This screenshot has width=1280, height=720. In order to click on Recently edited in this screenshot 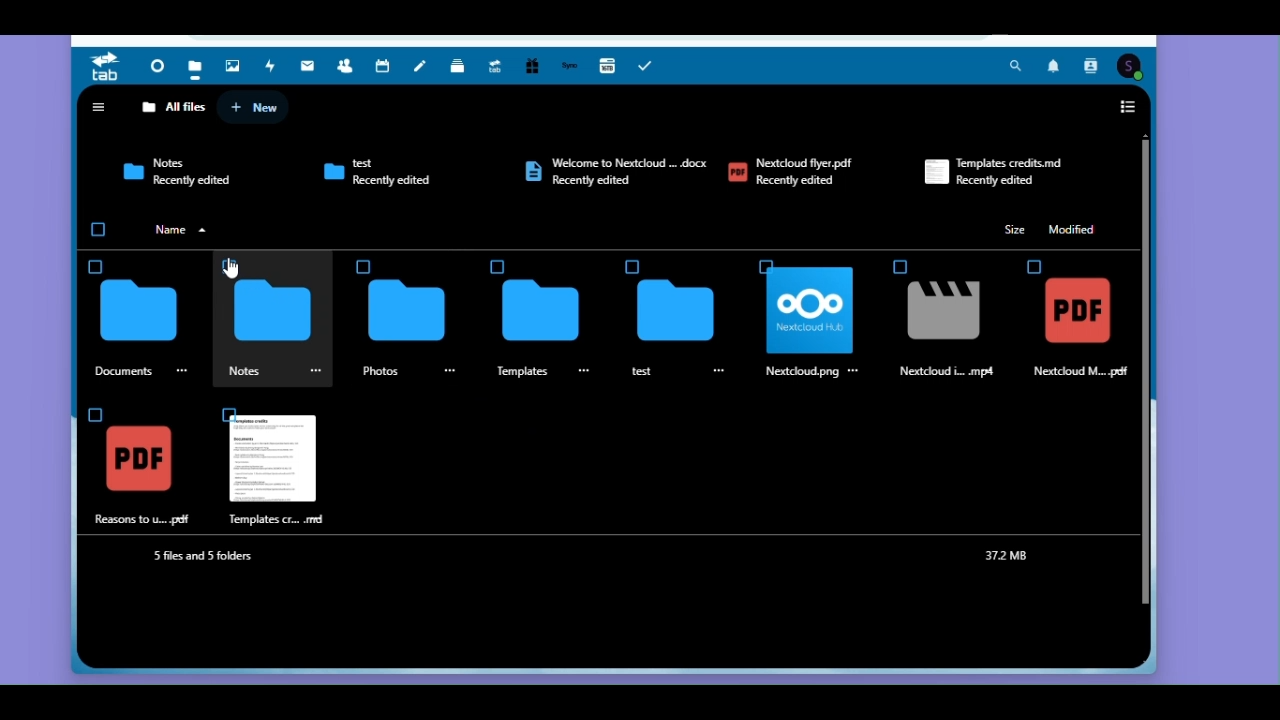, I will do `click(395, 180)`.